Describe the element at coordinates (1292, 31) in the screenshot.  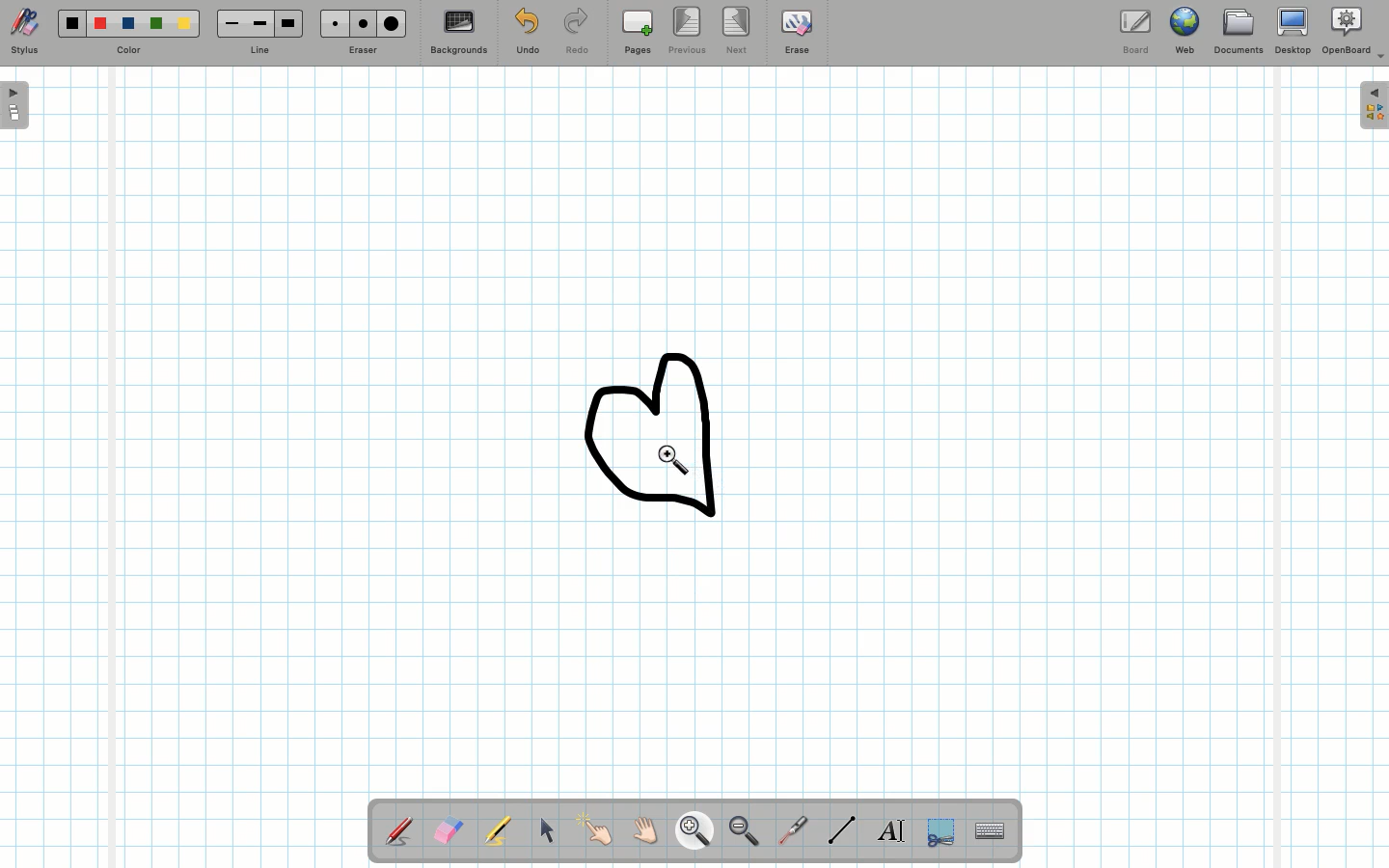
I see `Desktop` at that location.